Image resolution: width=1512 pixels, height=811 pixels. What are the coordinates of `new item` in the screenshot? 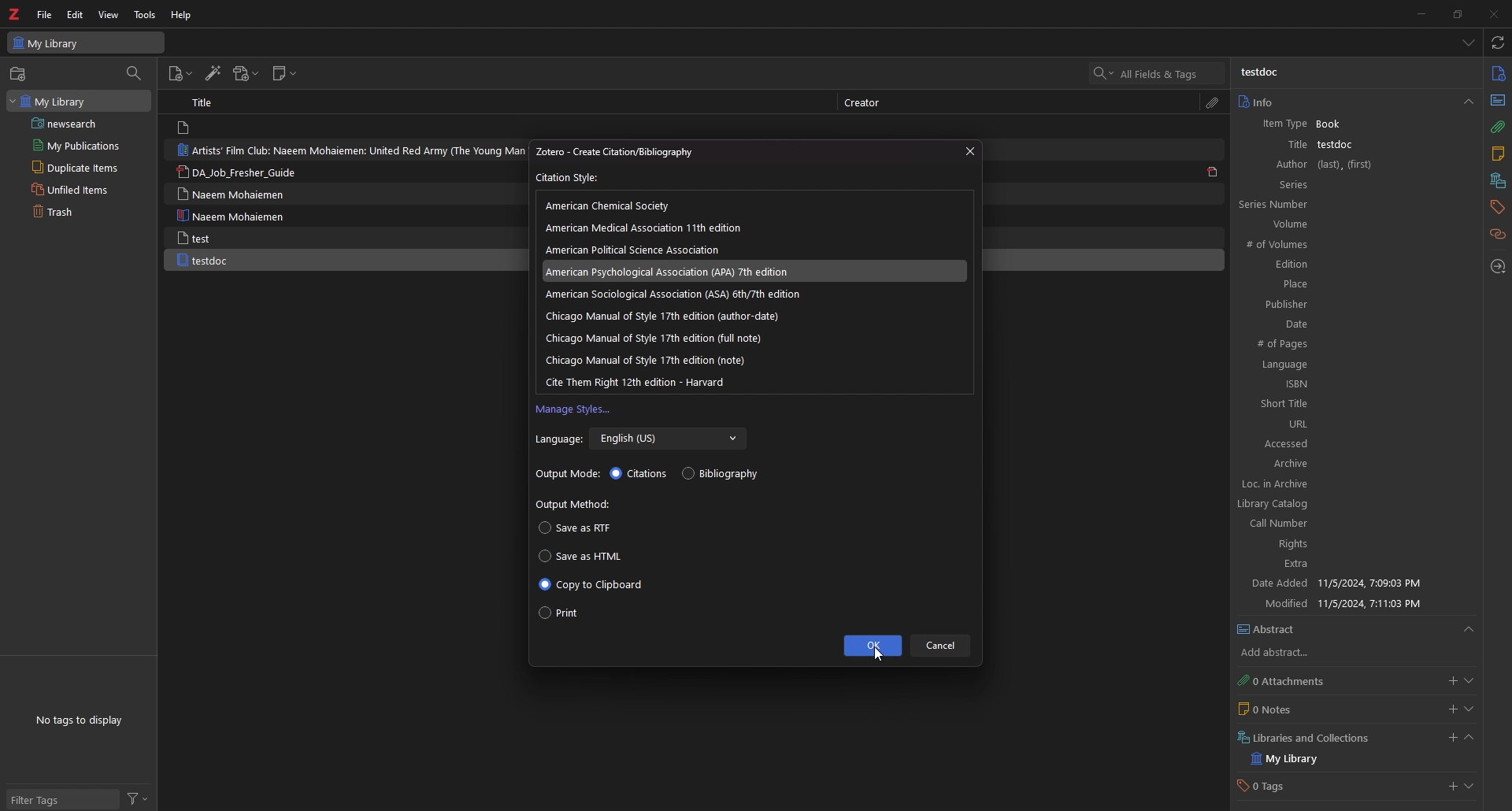 It's located at (180, 76).